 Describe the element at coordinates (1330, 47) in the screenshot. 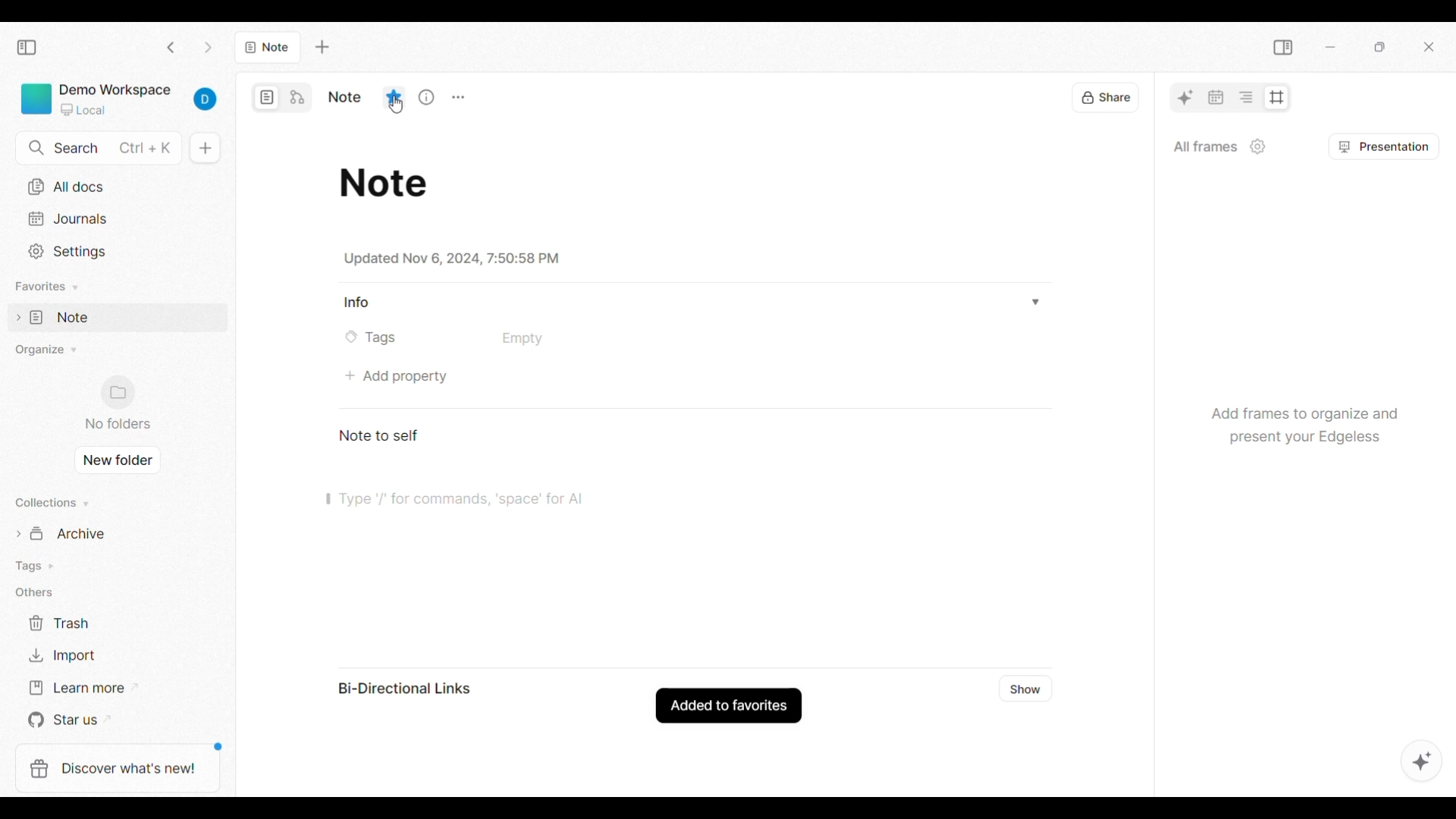

I see `Minimize` at that location.